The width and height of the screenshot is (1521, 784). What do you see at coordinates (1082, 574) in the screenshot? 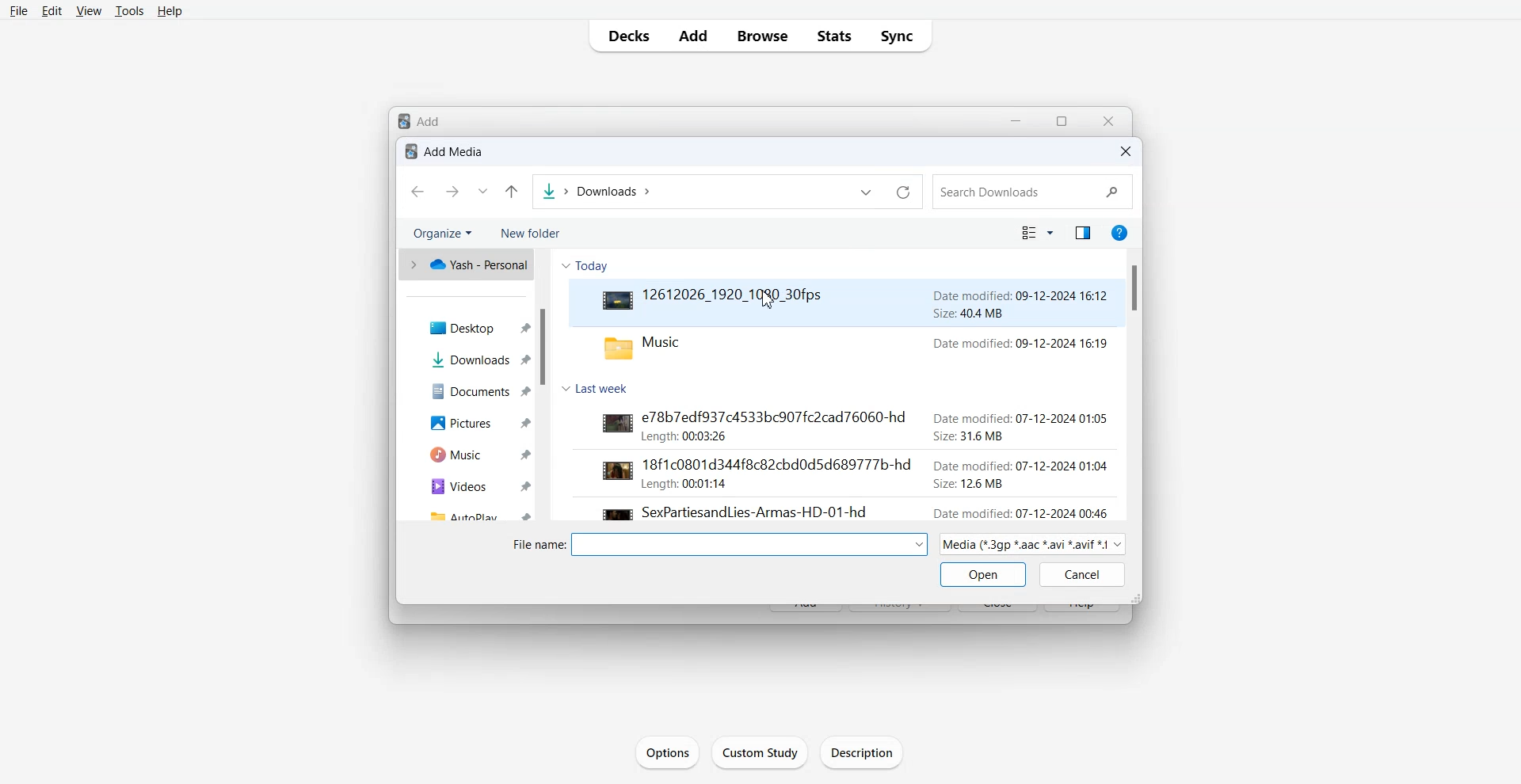
I see `Cancel` at bounding box center [1082, 574].